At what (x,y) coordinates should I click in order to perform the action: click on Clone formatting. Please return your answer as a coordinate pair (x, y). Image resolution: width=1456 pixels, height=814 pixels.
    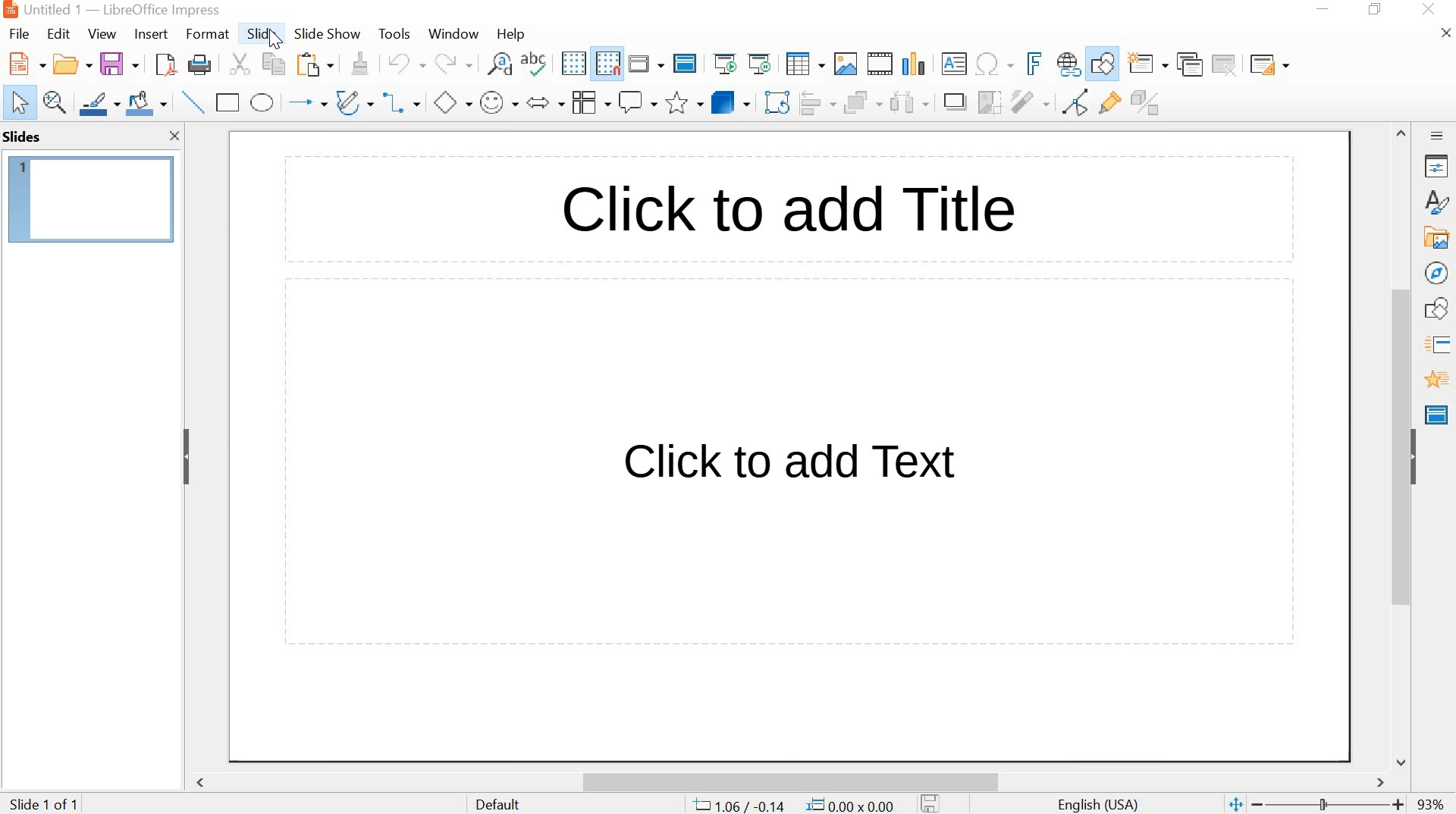
    Looking at the image, I should click on (359, 63).